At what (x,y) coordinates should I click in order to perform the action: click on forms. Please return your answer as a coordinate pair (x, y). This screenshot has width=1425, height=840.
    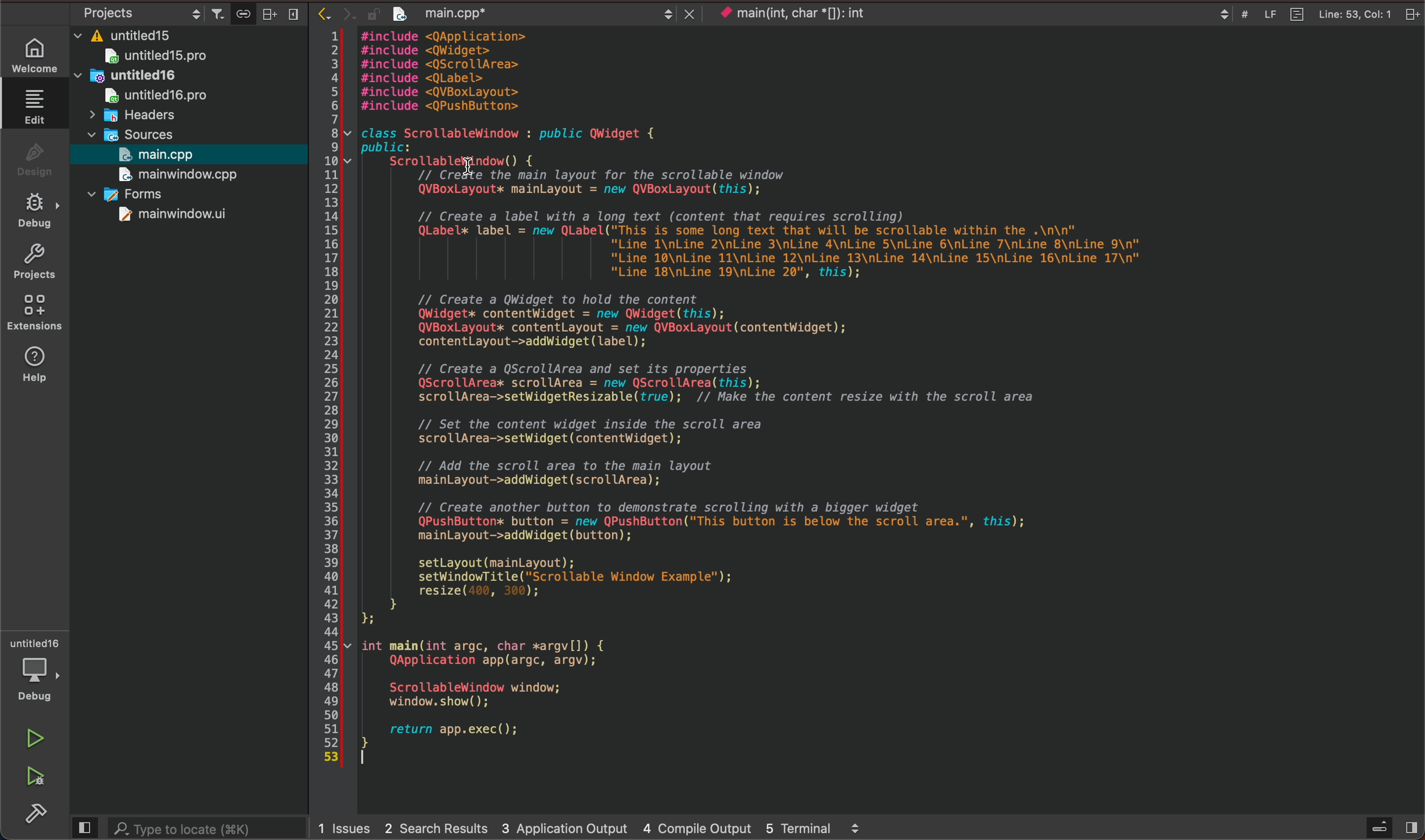
    Looking at the image, I should click on (144, 196).